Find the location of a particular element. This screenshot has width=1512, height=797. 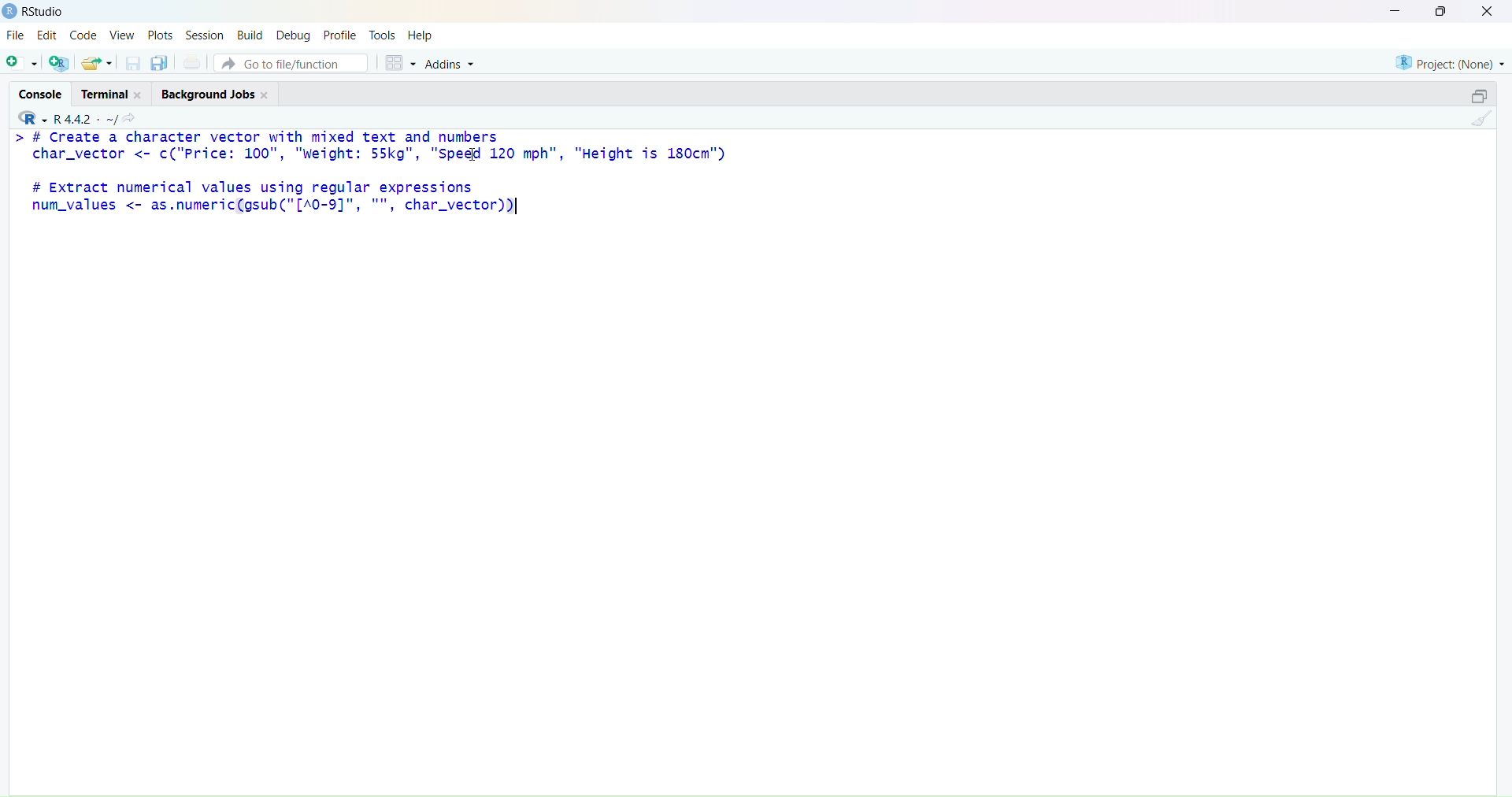

edit is located at coordinates (49, 35).